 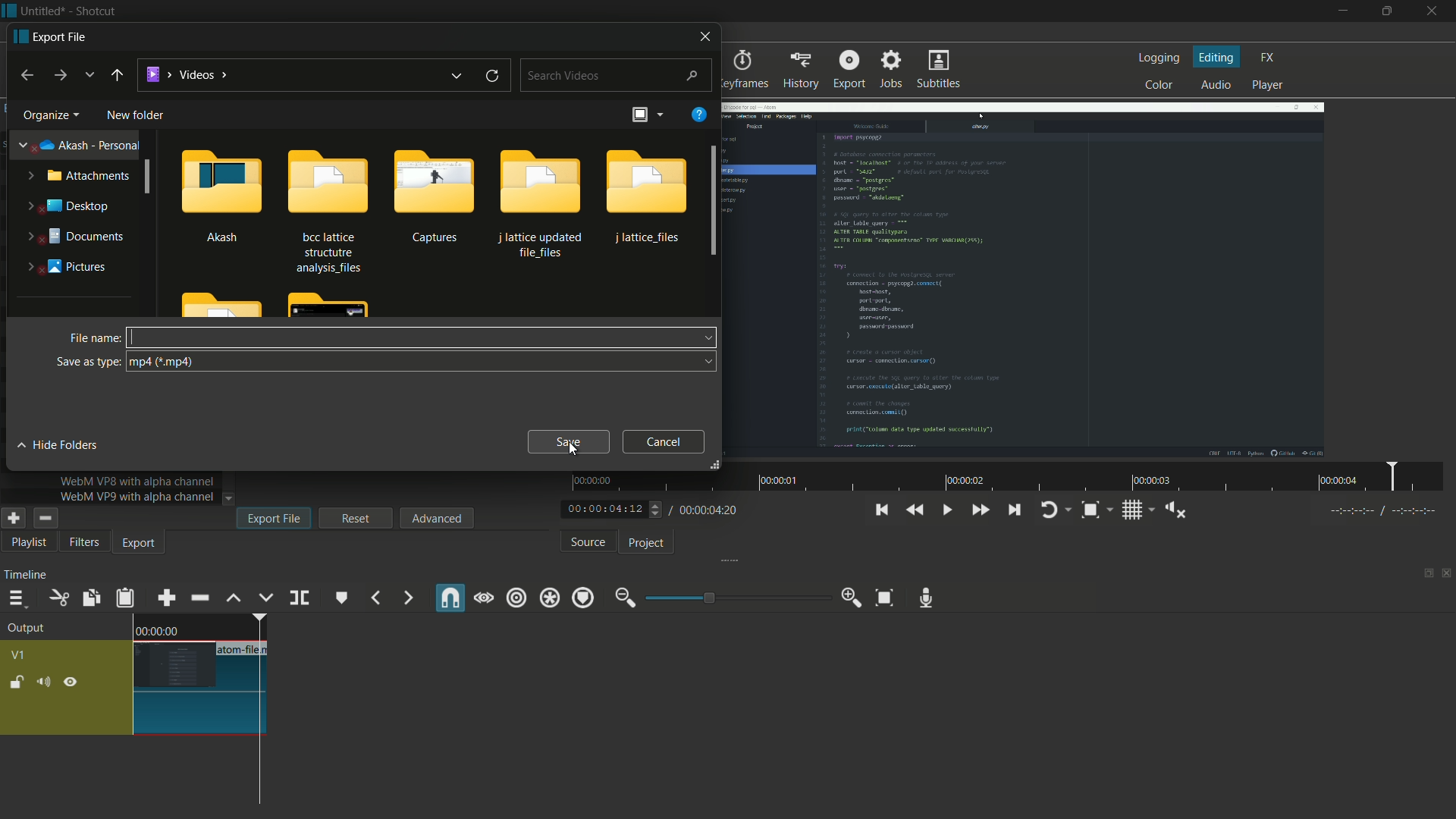 I want to click on more options, so click(x=661, y=114).